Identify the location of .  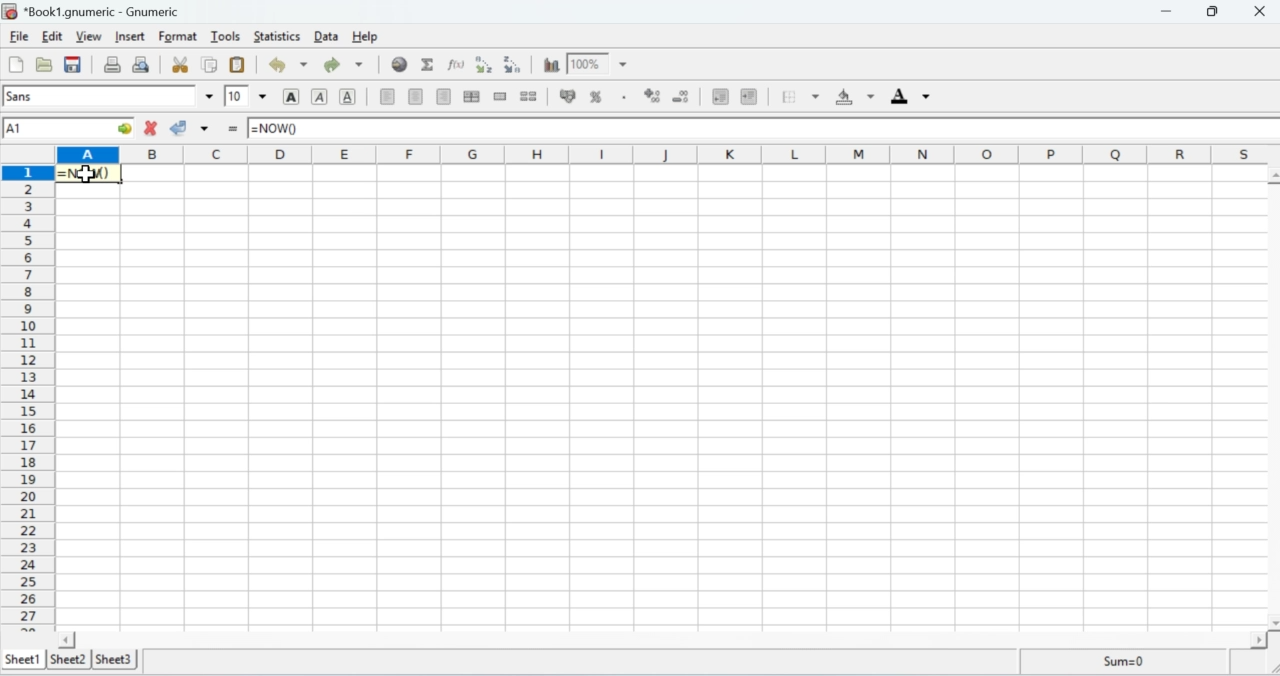
(566, 98).